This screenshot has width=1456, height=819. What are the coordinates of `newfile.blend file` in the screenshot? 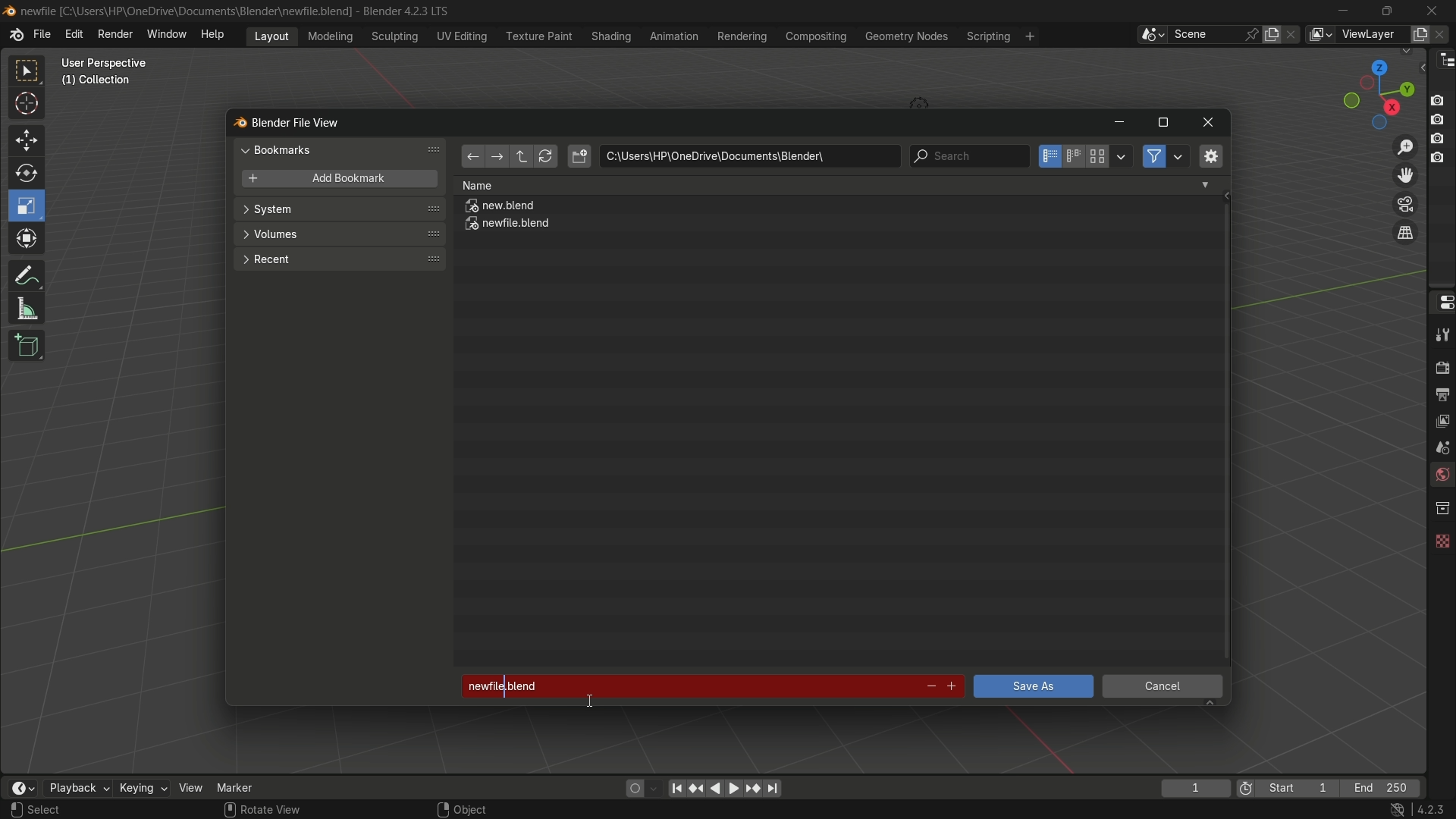 It's located at (509, 226).